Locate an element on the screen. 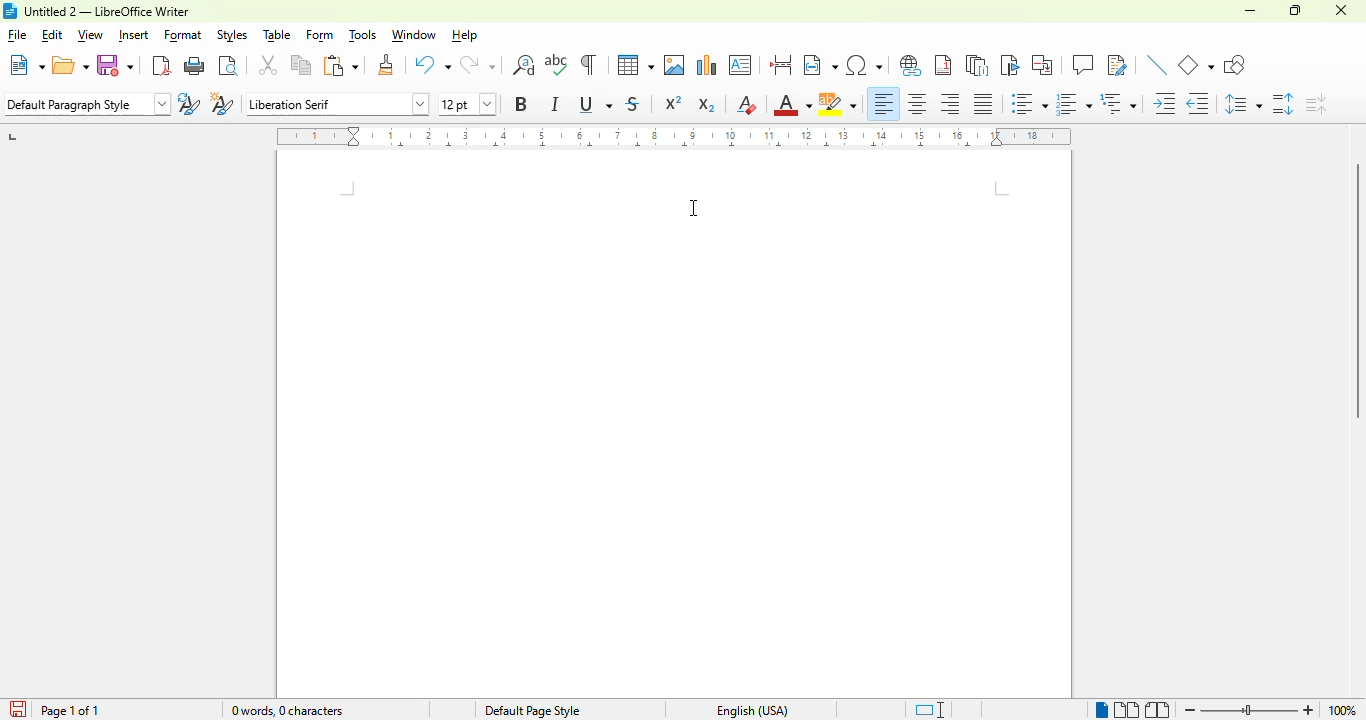 The width and height of the screenshot is (1366, 720). update selected style is located at coordinates (190, 104).